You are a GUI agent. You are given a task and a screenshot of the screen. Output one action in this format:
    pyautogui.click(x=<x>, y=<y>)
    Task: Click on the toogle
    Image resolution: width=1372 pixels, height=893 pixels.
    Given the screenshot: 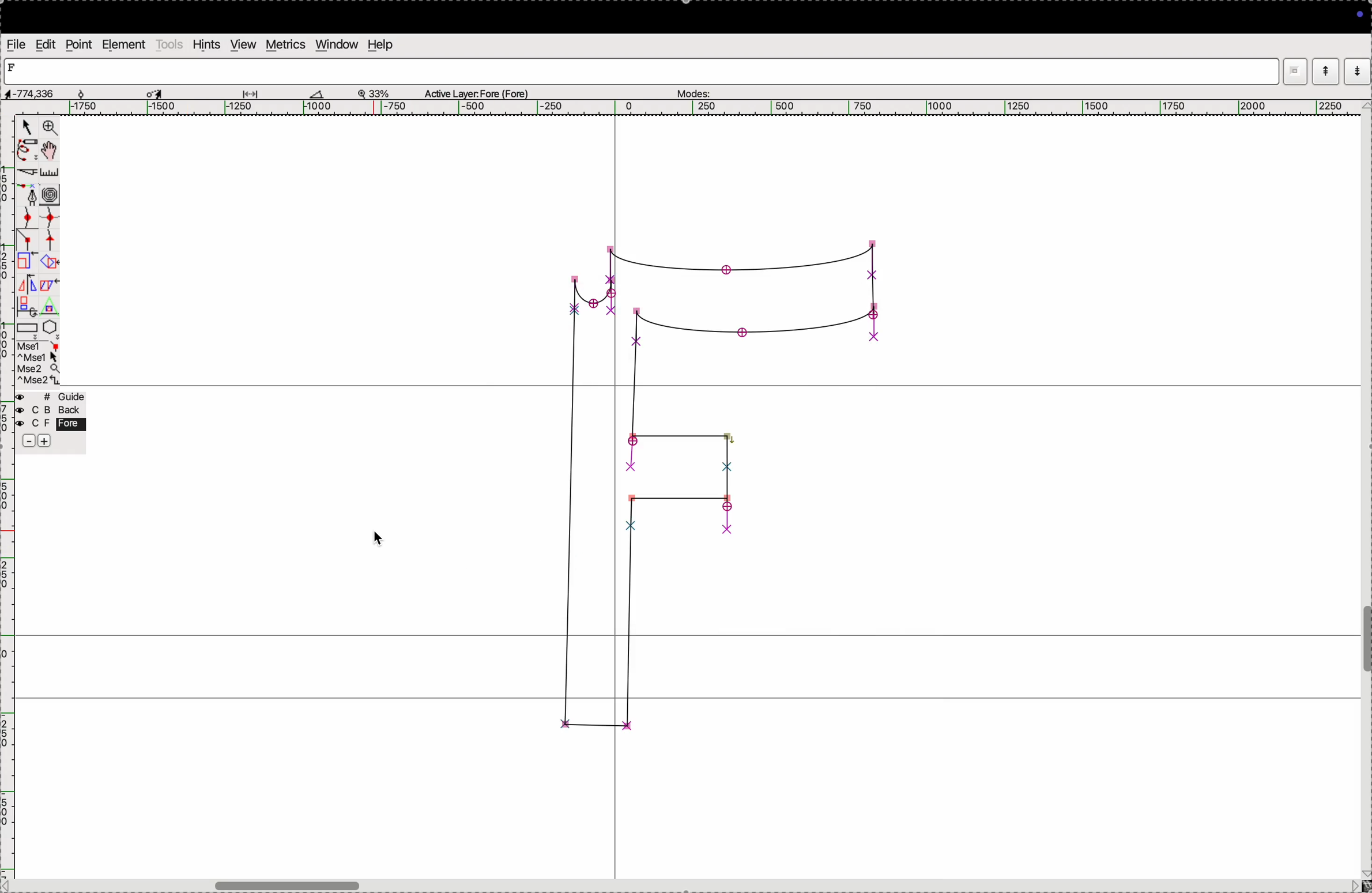 What is the action you would take?
    pyautogui.click(x=311, y=883)
    